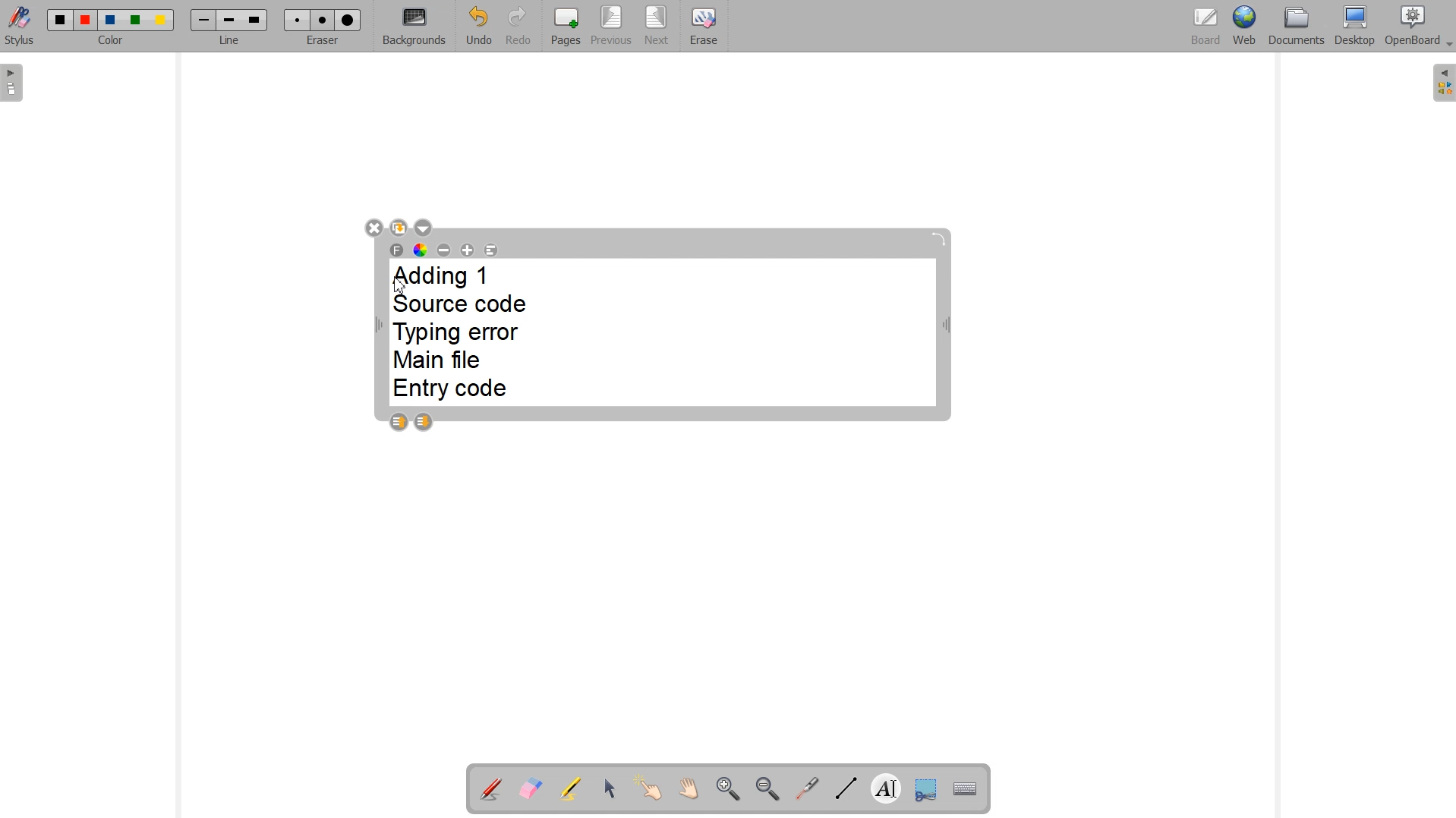  I want to click on Erase annotation, so click(531, 788).